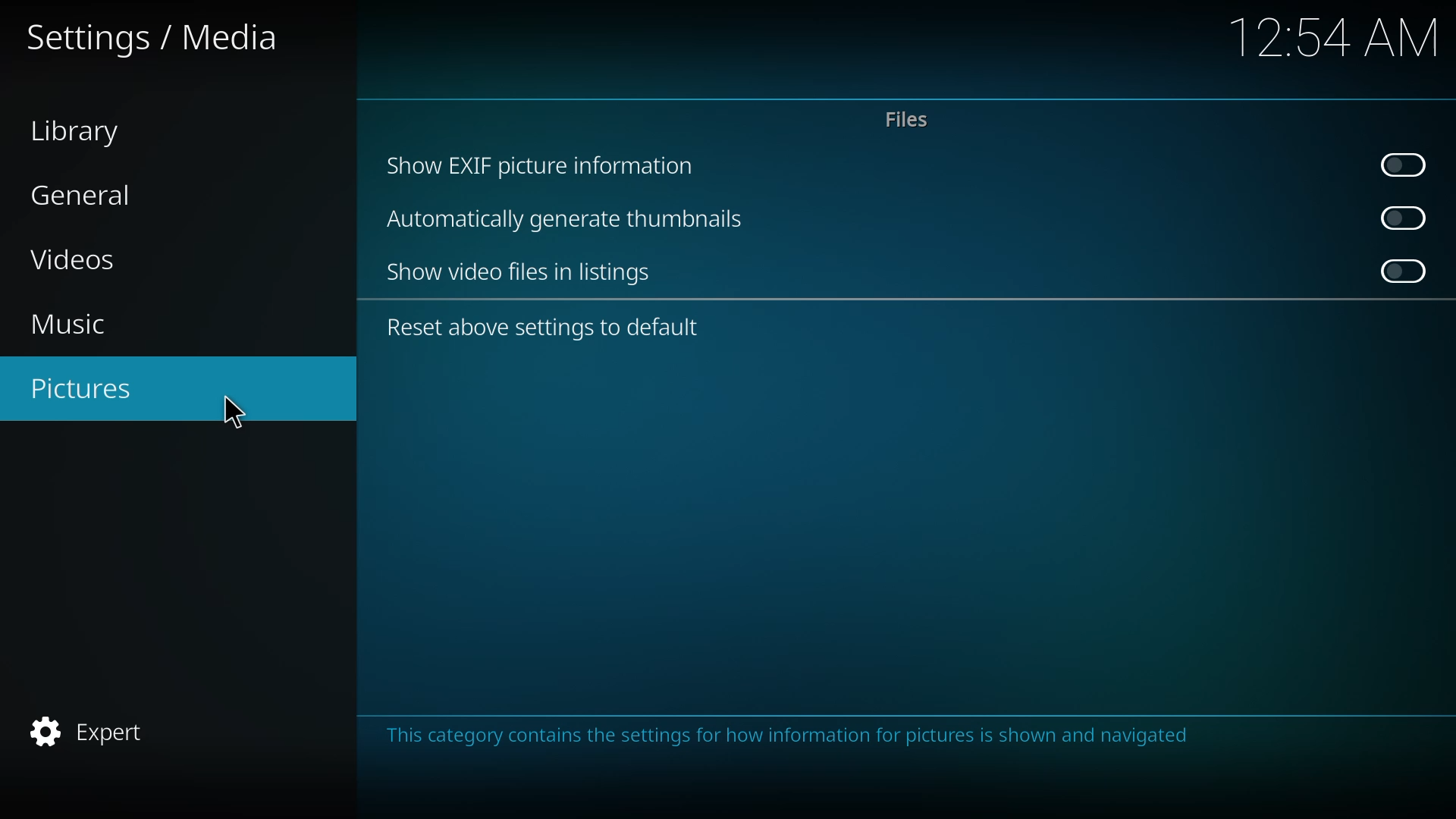 The height and width of the screenshot is (819, 1456). What do you see at coordinates (1338, 37) in the screenshot?
I see `time` at bounding box center [1338, 37].